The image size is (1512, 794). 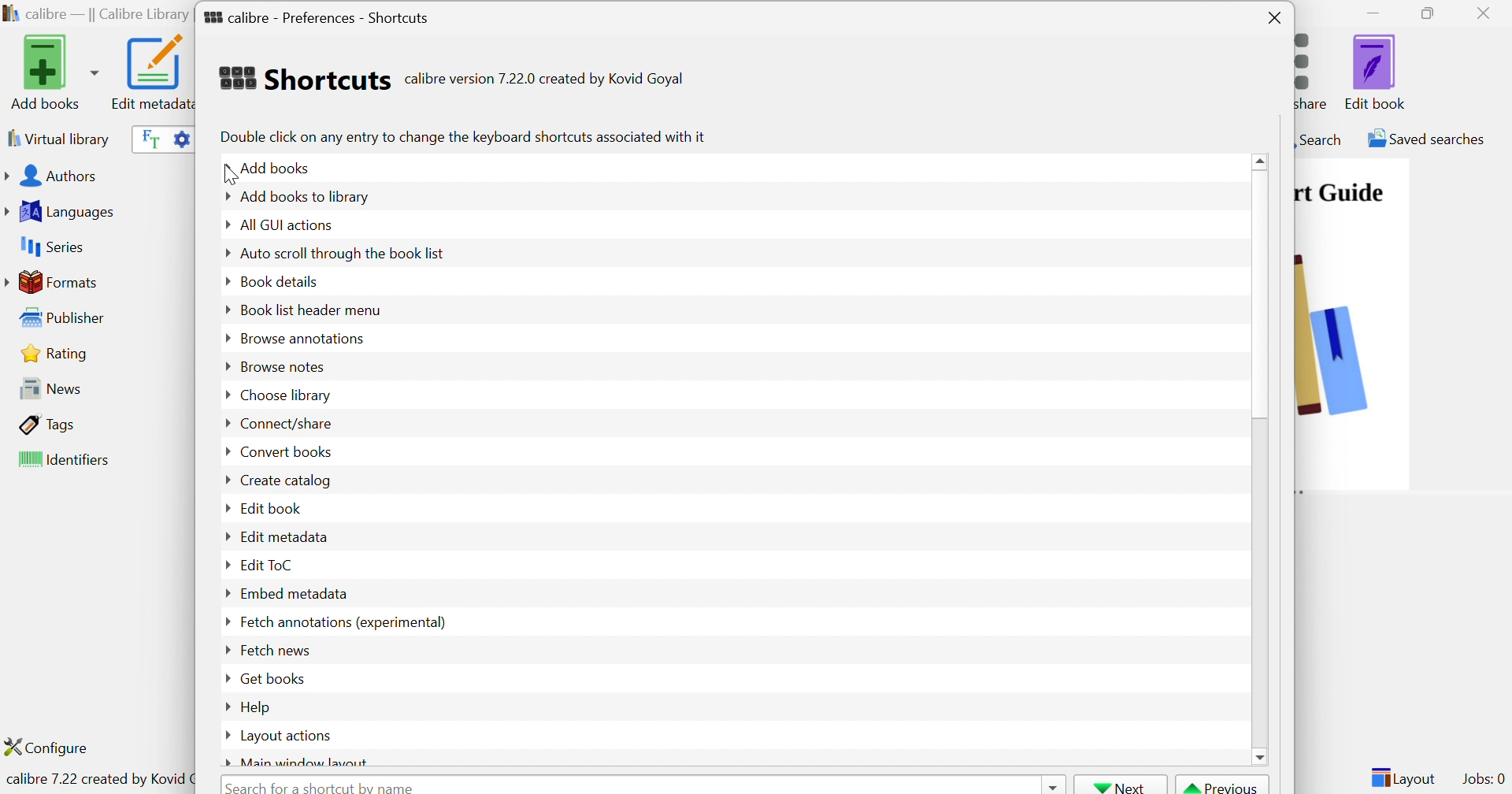 I want to click on Create catalog, so click(x=284, y=480).